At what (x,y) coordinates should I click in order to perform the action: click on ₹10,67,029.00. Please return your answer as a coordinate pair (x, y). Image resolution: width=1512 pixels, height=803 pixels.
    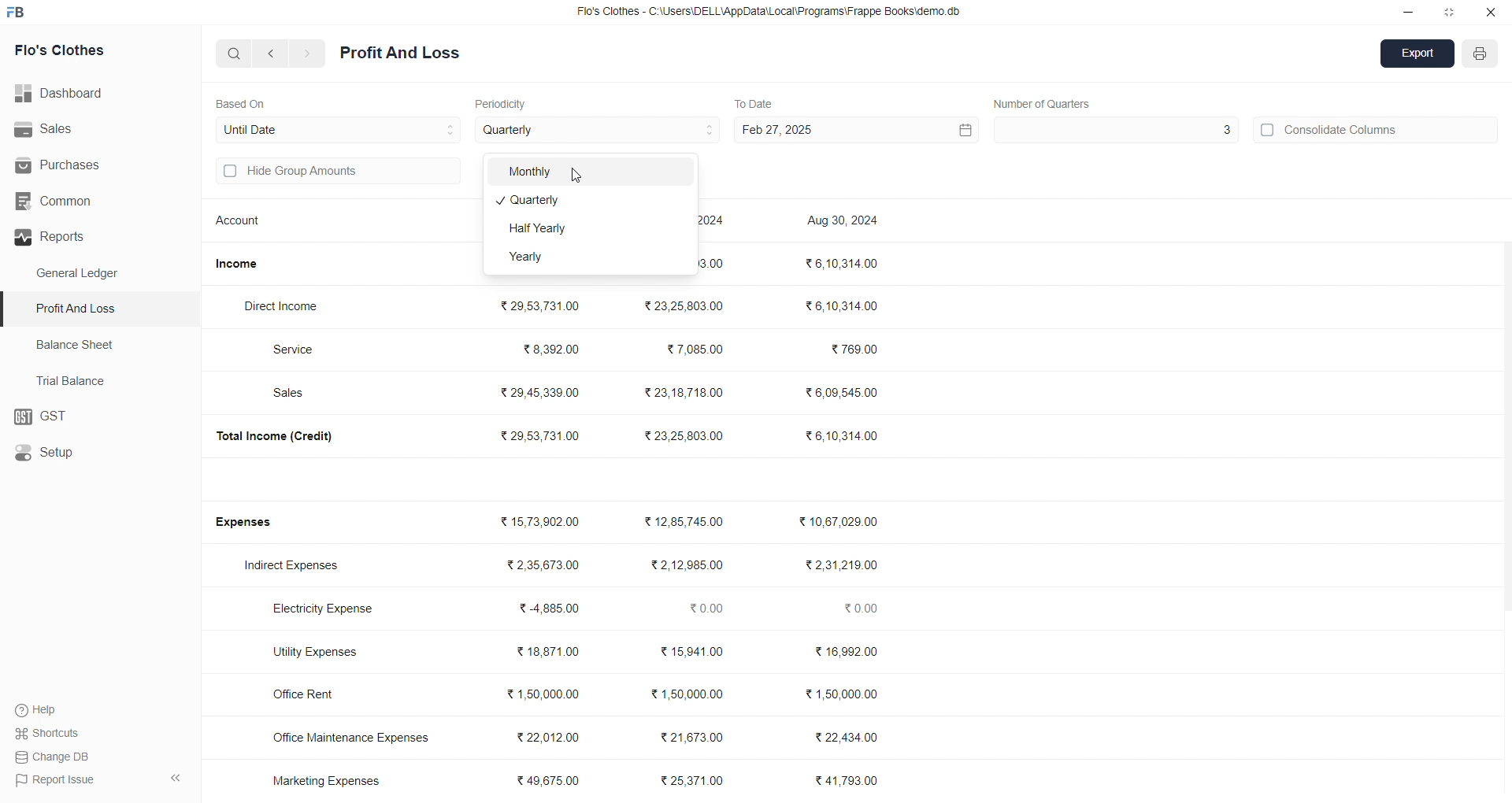
    Looking at the image, I should click on (842, 522).